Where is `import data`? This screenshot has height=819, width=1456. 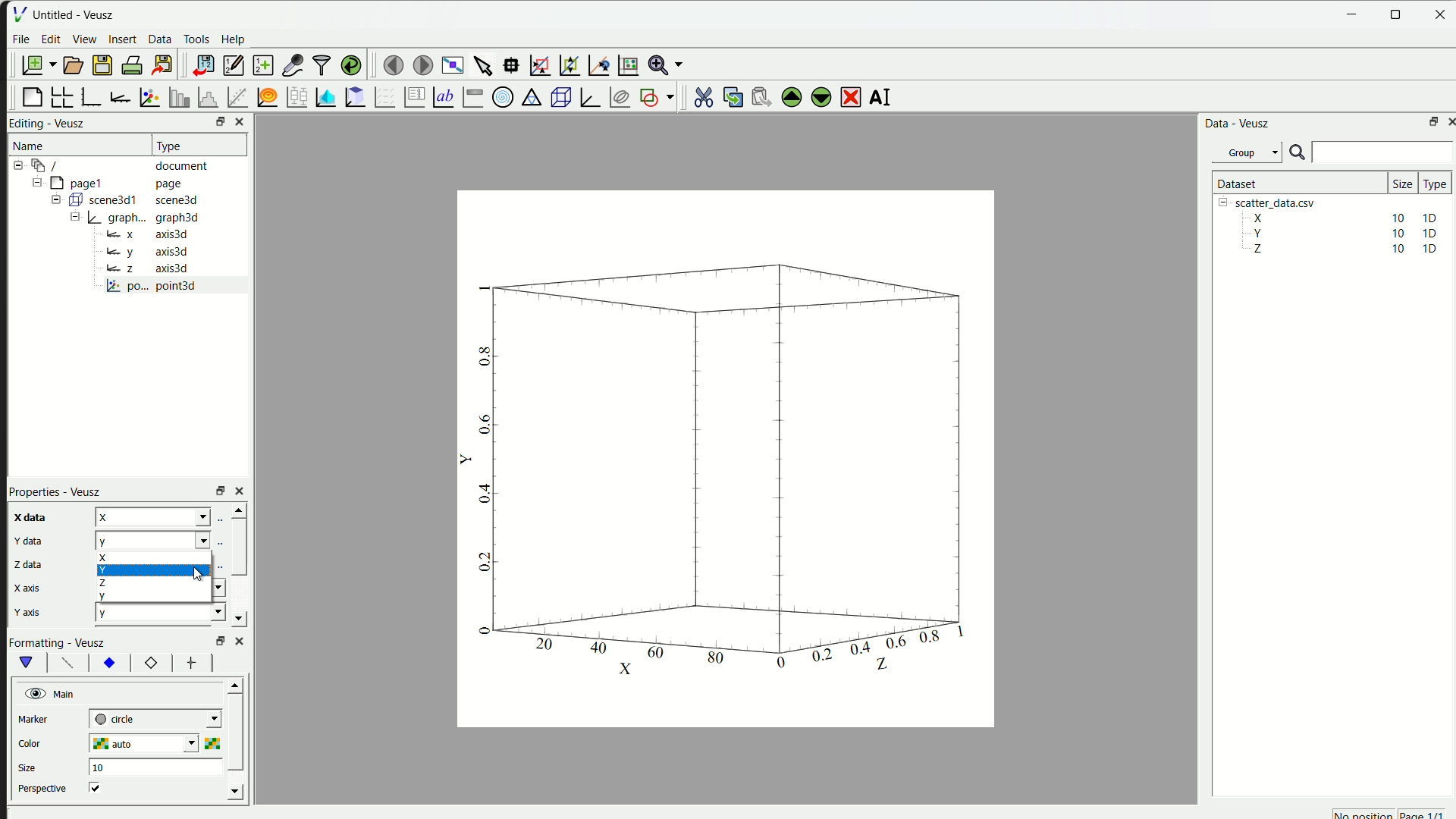 import data is located at coordinates (200, 65).